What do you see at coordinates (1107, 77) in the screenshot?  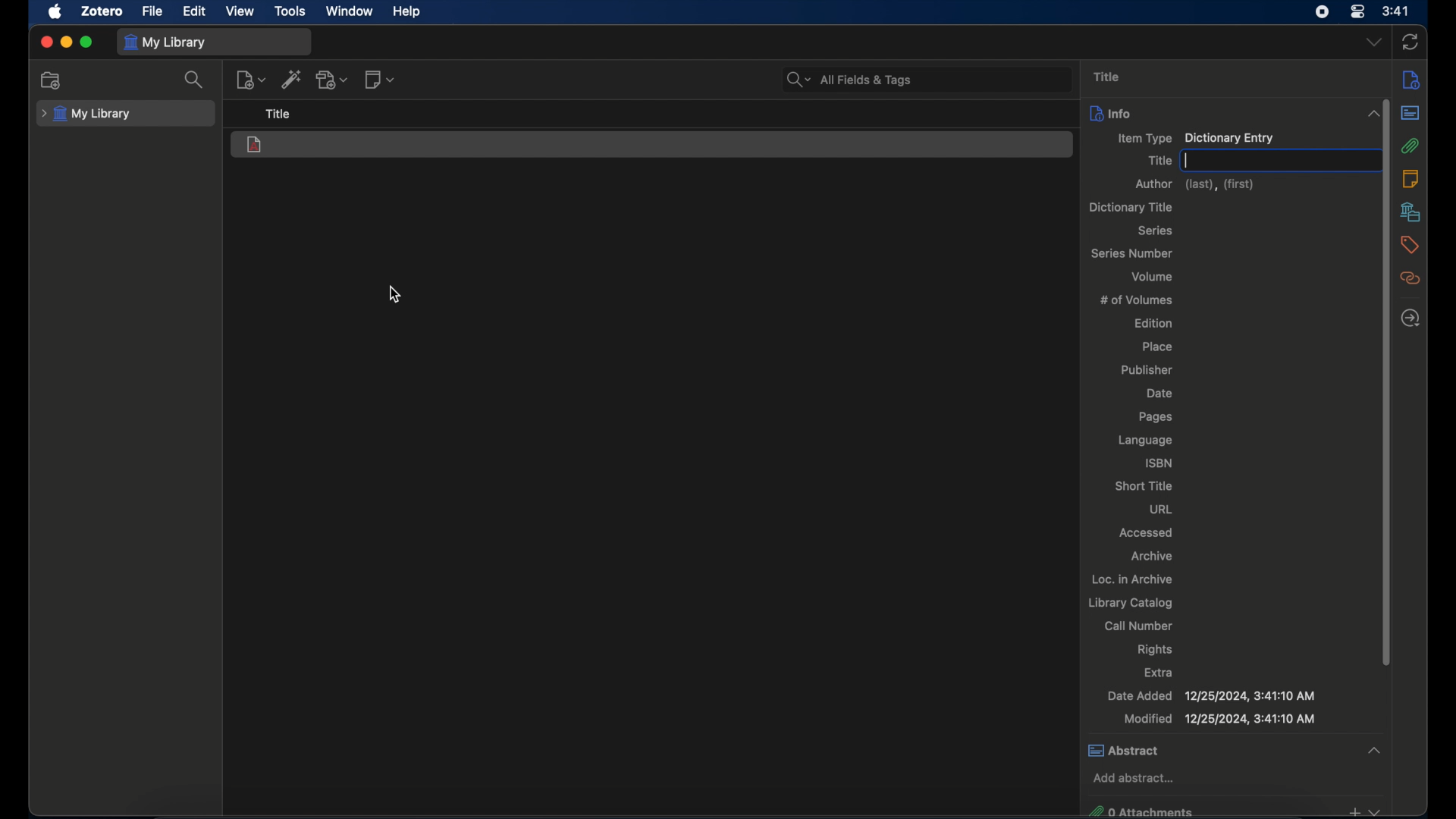 I see `title` at bounding box center [1107, 77].